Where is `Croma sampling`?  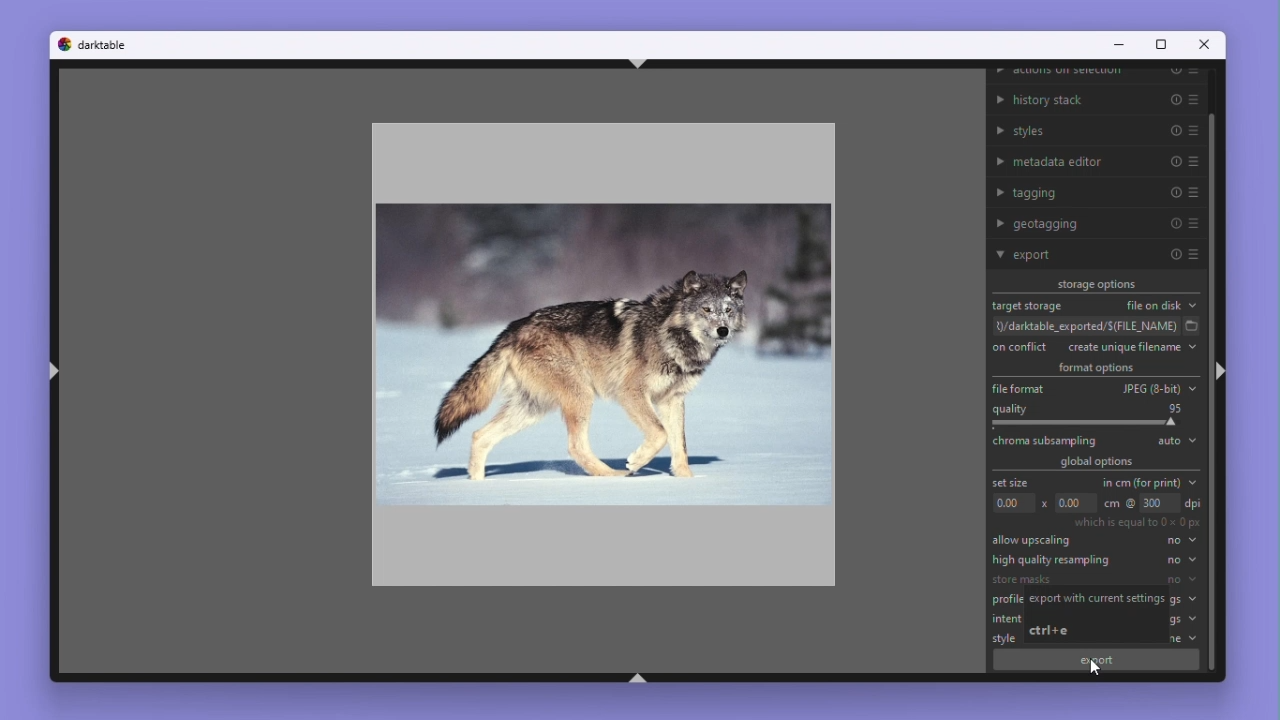 Croma sampling is located at coordinates (1097, 425).